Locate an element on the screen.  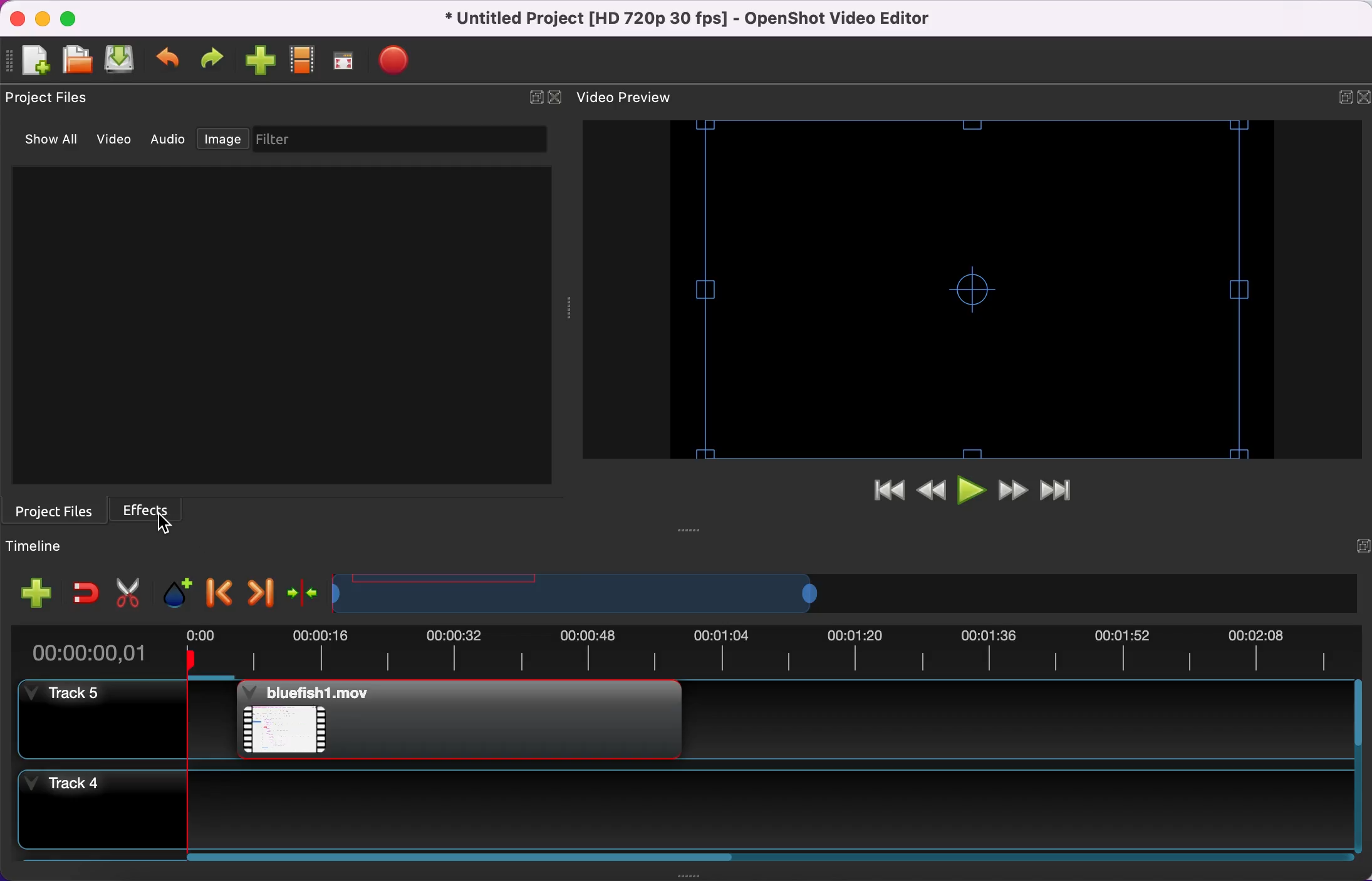
timeline is located at coordinates (61, 548).